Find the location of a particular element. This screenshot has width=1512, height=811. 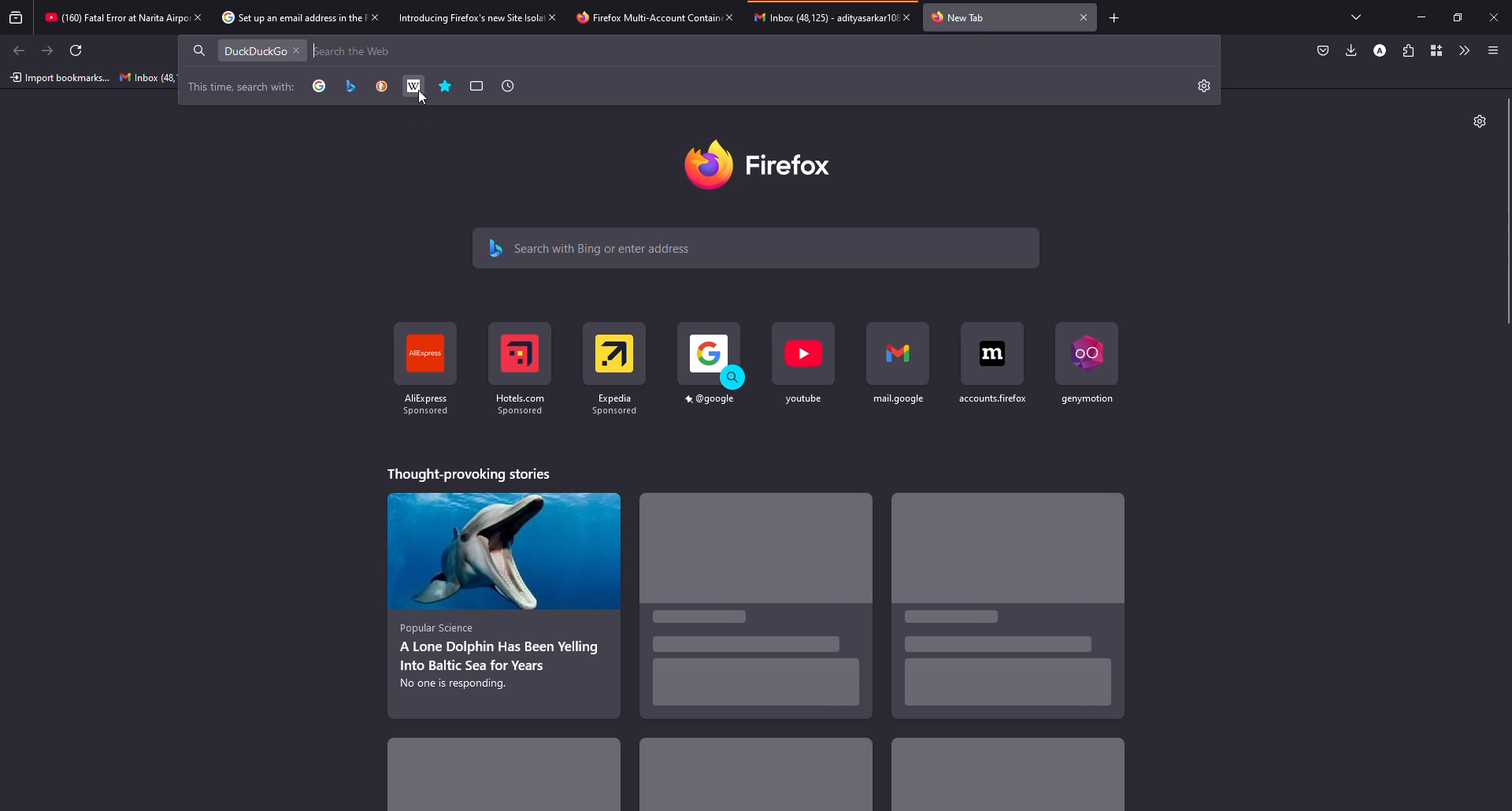

close is located at coordinates (1084, 17).